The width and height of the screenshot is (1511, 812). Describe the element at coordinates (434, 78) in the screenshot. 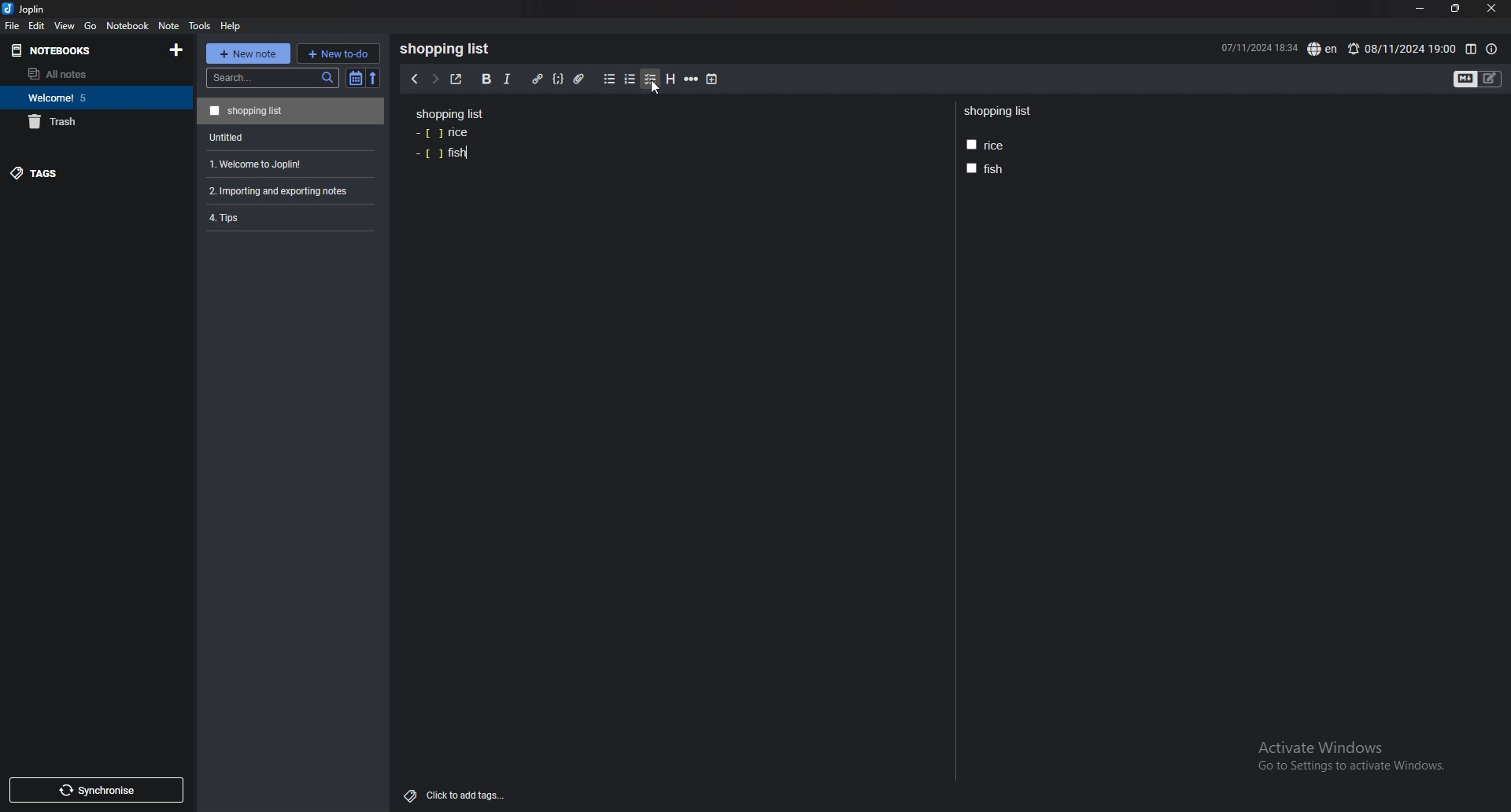

I see `next` at that location.